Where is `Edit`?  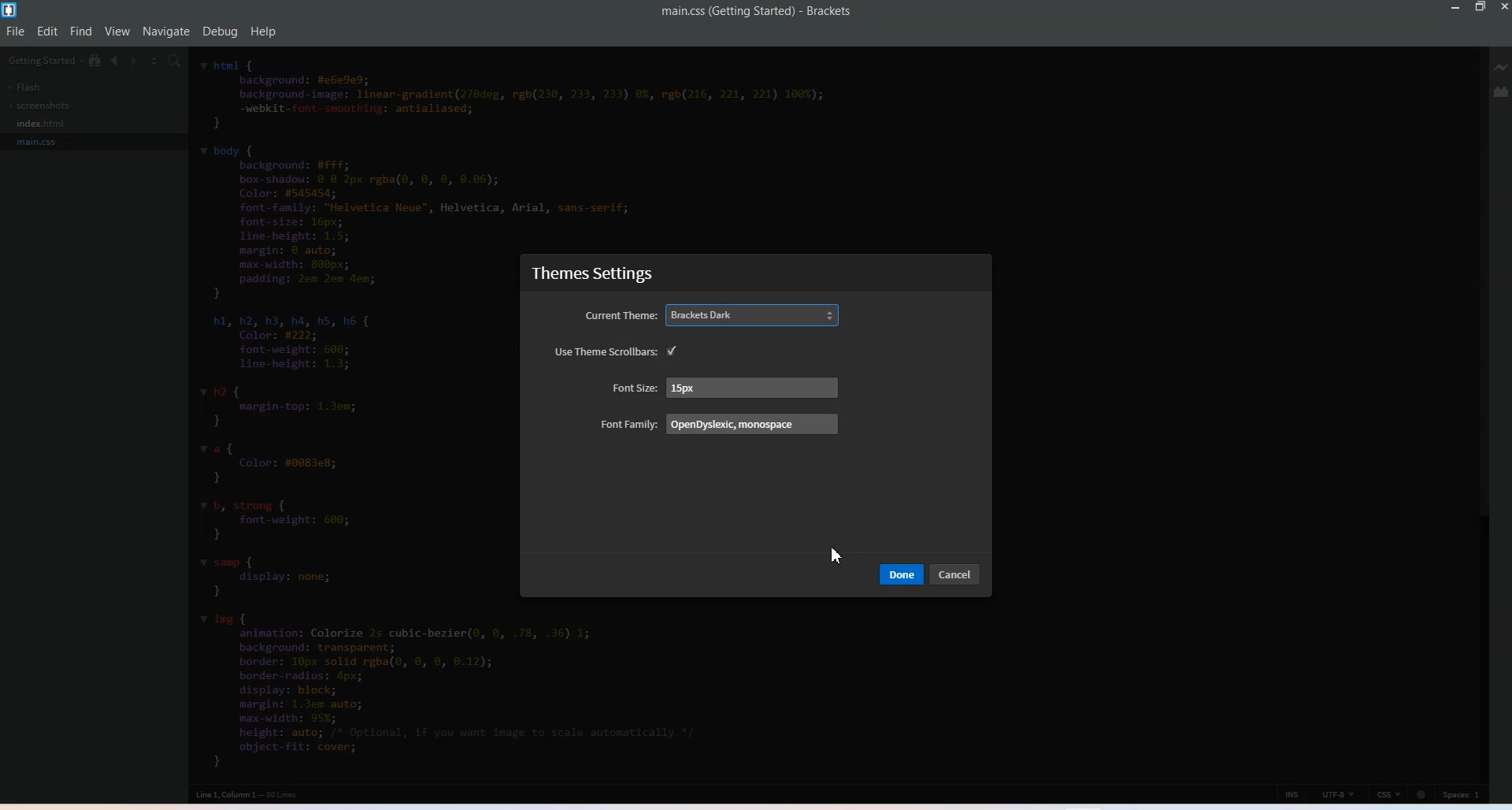 Edit is located at coordinates (47, 31).